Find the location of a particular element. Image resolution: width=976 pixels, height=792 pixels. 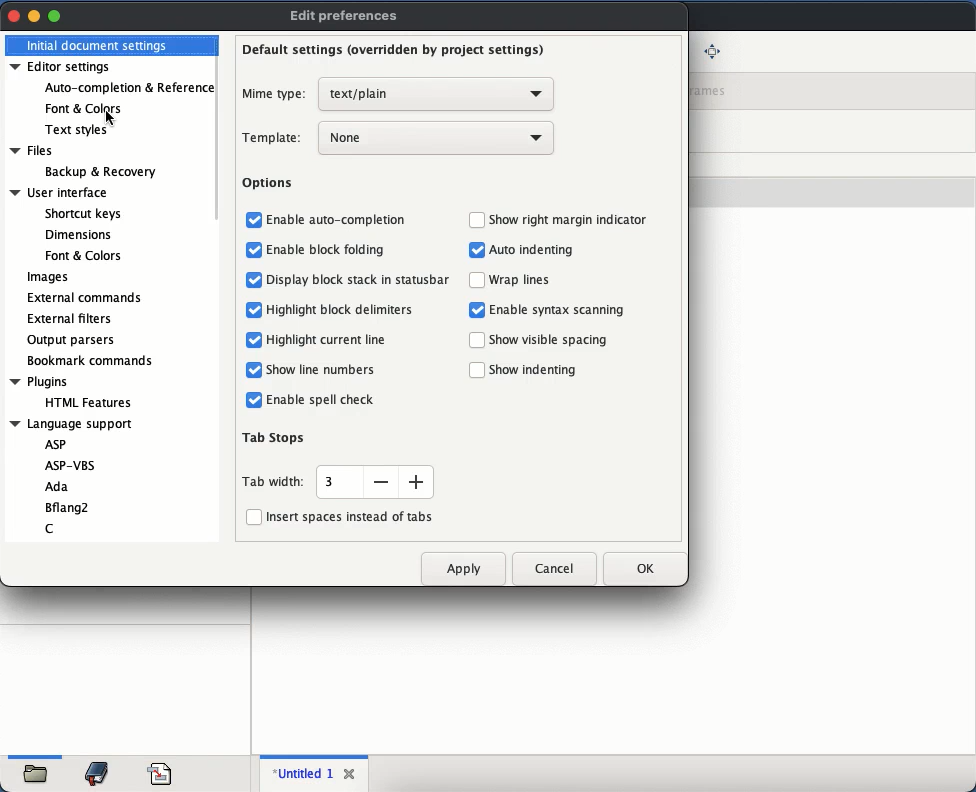

Enable block folding is located at coordinates (332, 249).